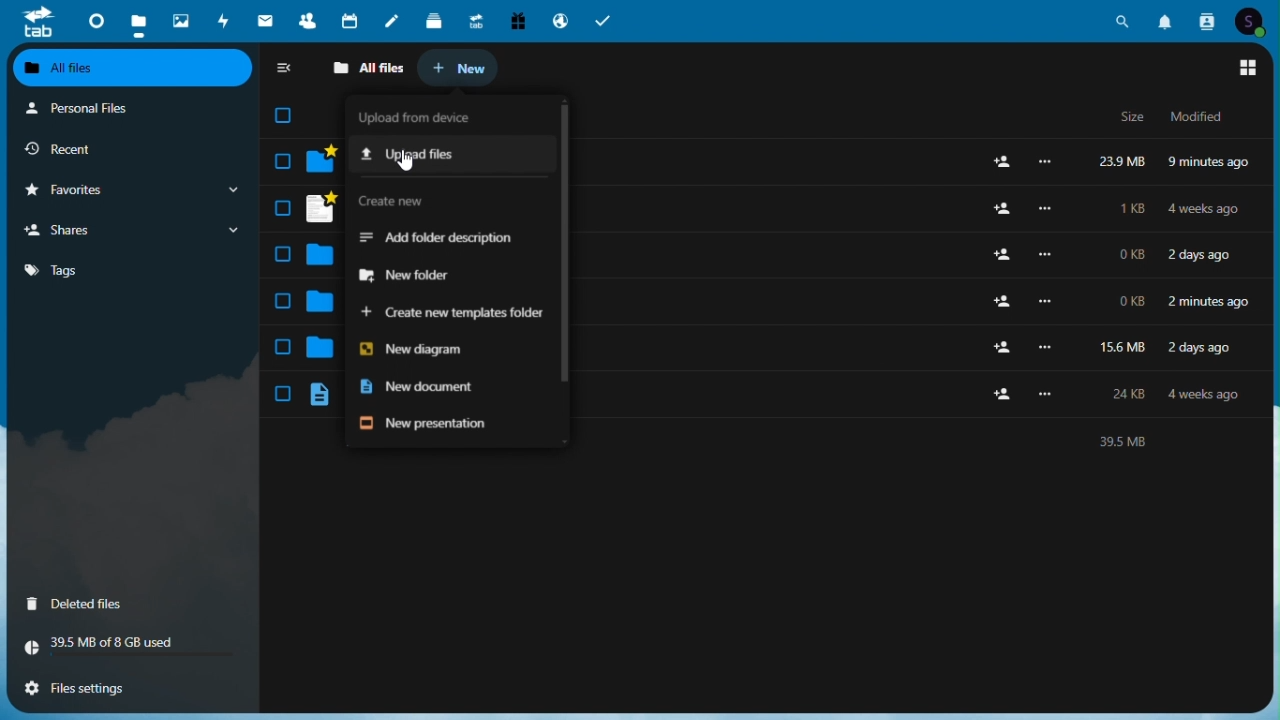 This screenshot has width=1280, height=720. What do you see at coordinates (450, 312) in the screenshot?
I see `Create new templates folder` at bounding box center [450, 312].